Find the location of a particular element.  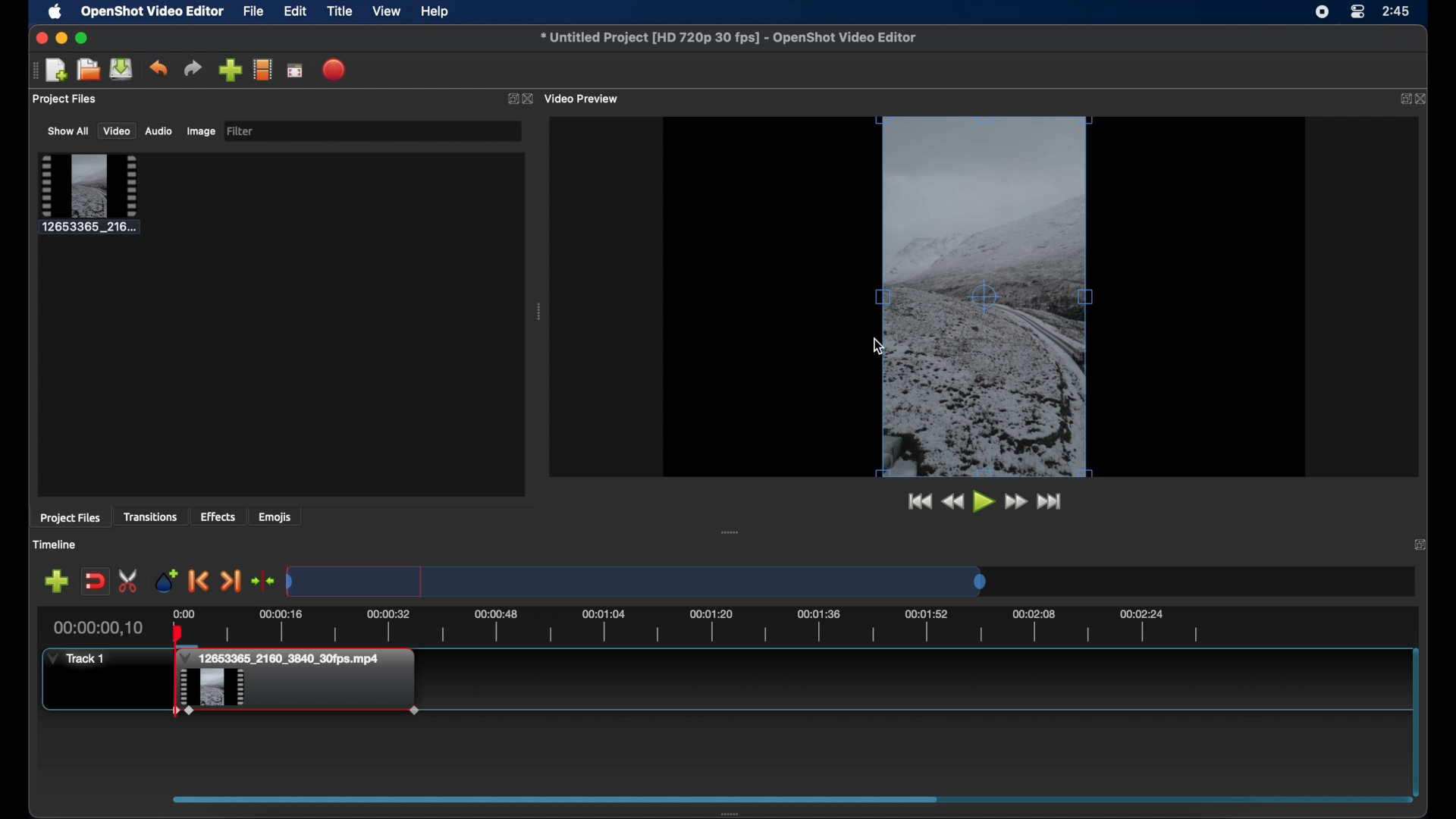

rewind is located at coordinates (953, 501).